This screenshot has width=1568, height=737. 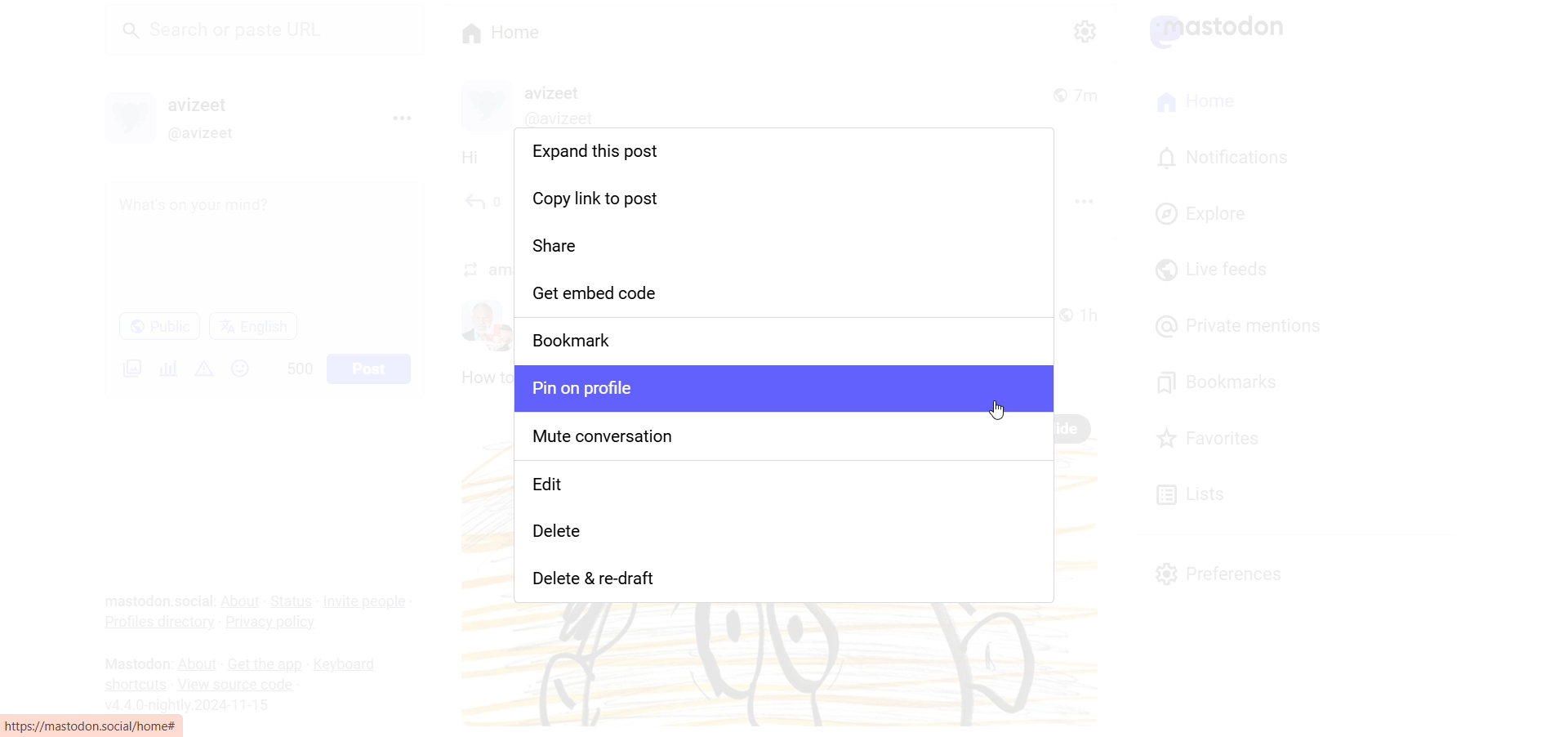 What do you see at coordinates (350, 664) in the screenshot?
I see `Keyboard` at bounding box center [350, 664].